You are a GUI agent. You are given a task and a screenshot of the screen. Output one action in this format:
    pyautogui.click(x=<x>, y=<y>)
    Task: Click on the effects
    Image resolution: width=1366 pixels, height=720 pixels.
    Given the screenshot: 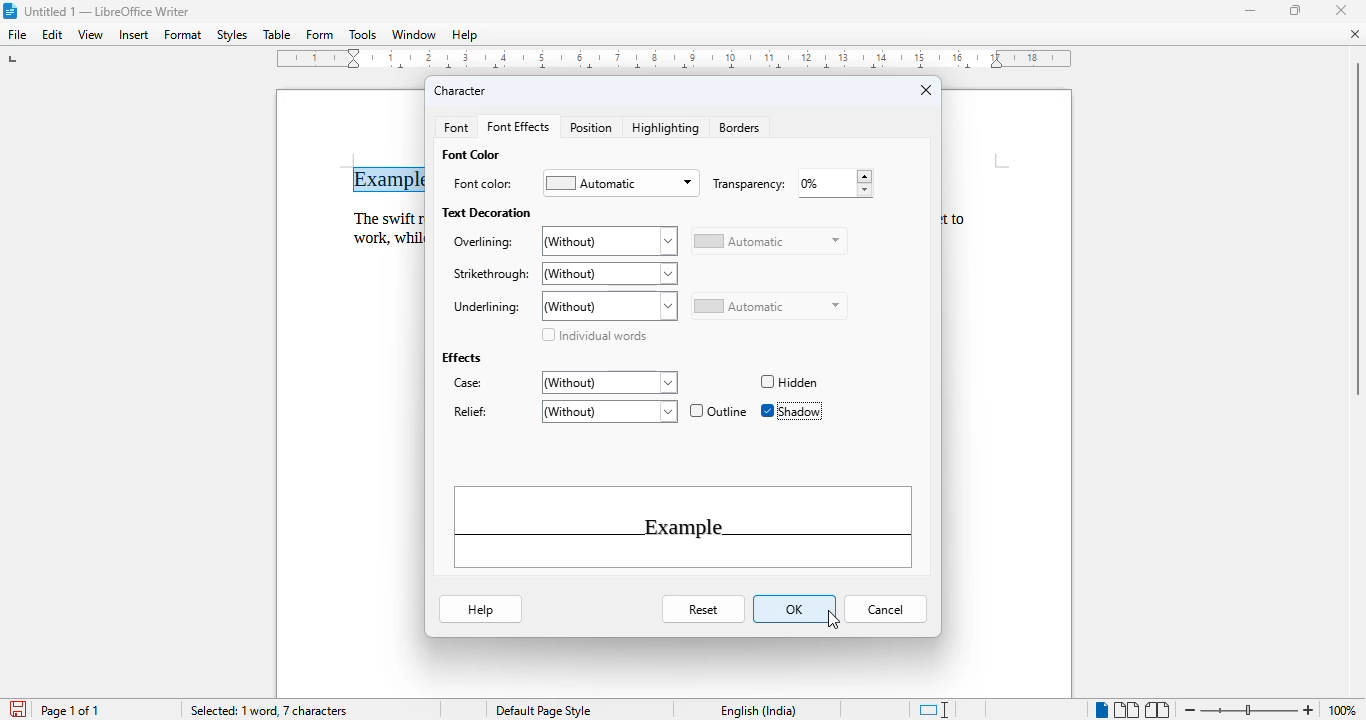 What is the action you would take?
    pyautogui.click(x=460, y=357)
    